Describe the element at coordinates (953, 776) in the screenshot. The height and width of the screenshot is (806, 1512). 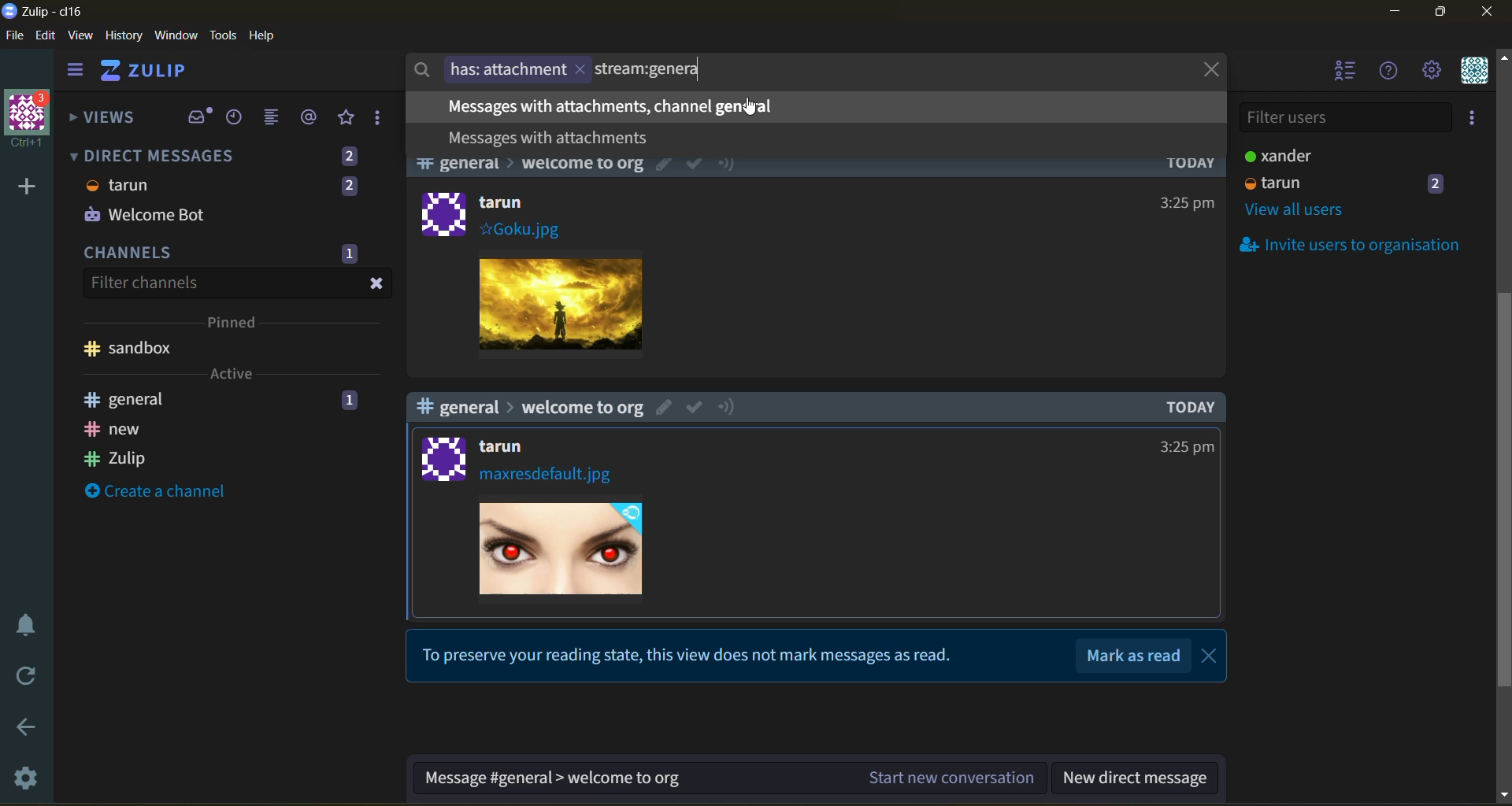
I see `Start new conversation` at that location.